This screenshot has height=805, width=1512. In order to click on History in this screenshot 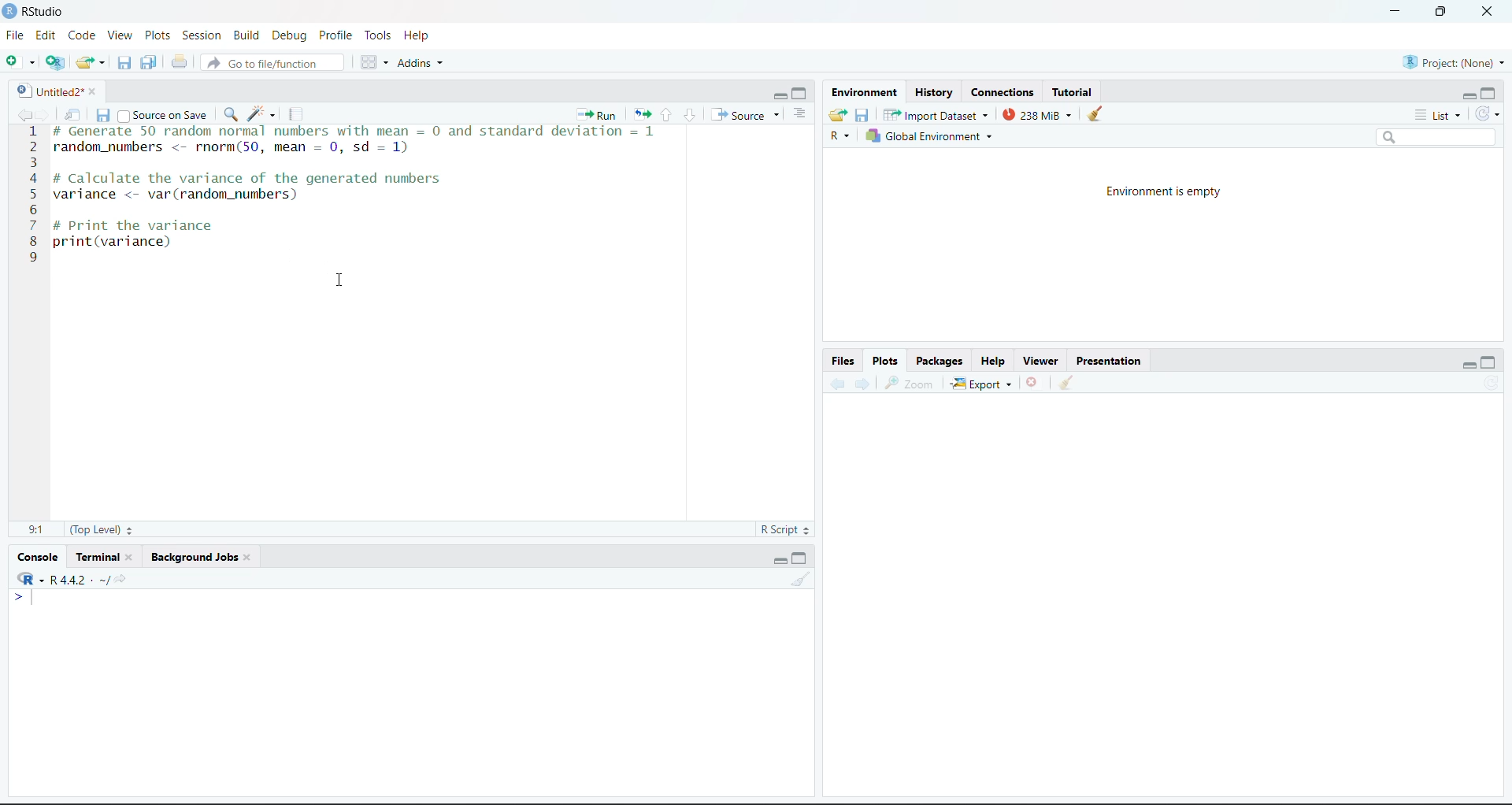, I will do `click(933, 93)`.